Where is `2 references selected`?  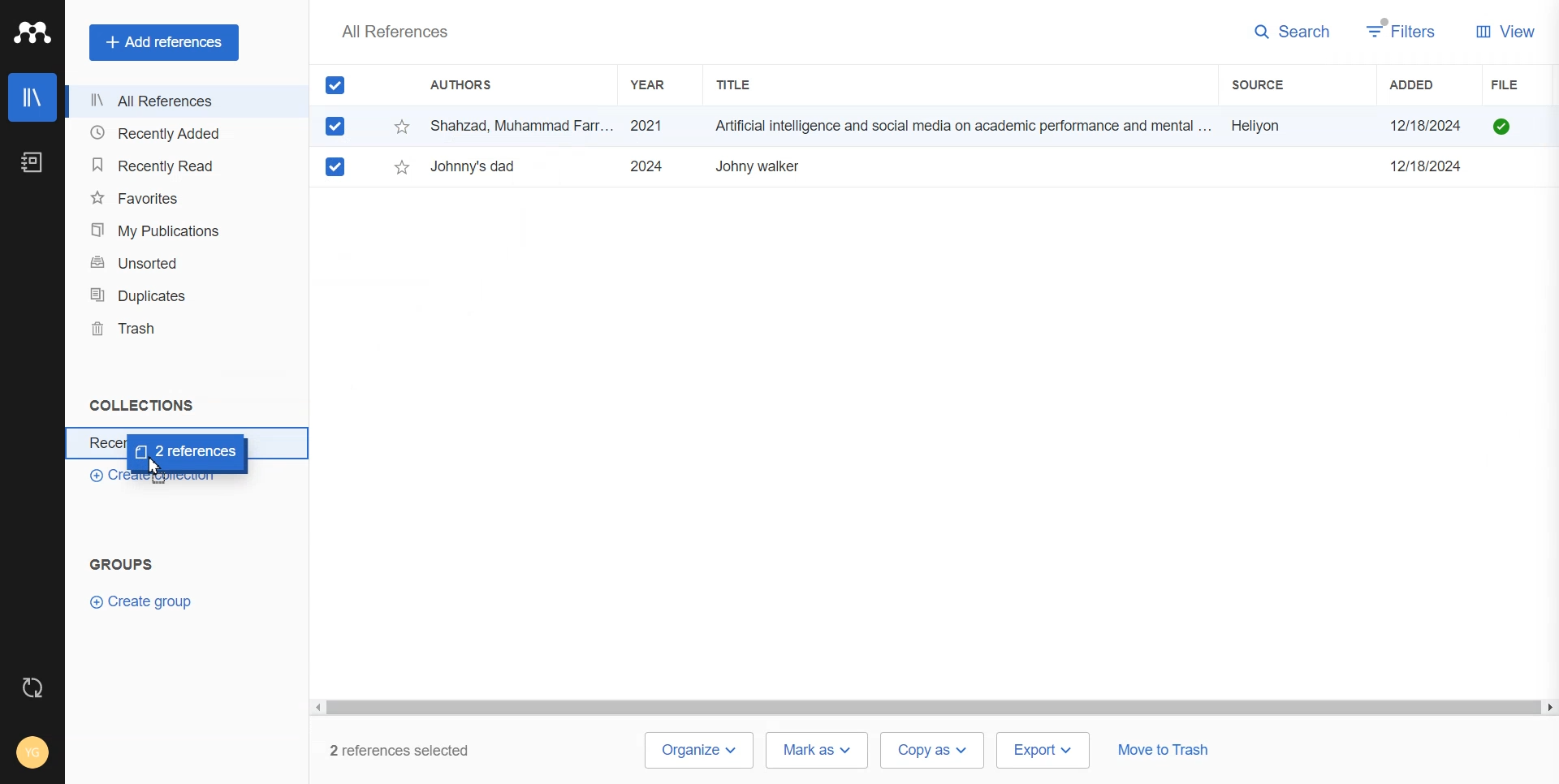
2 references selected is located at coordinates (409, 751).